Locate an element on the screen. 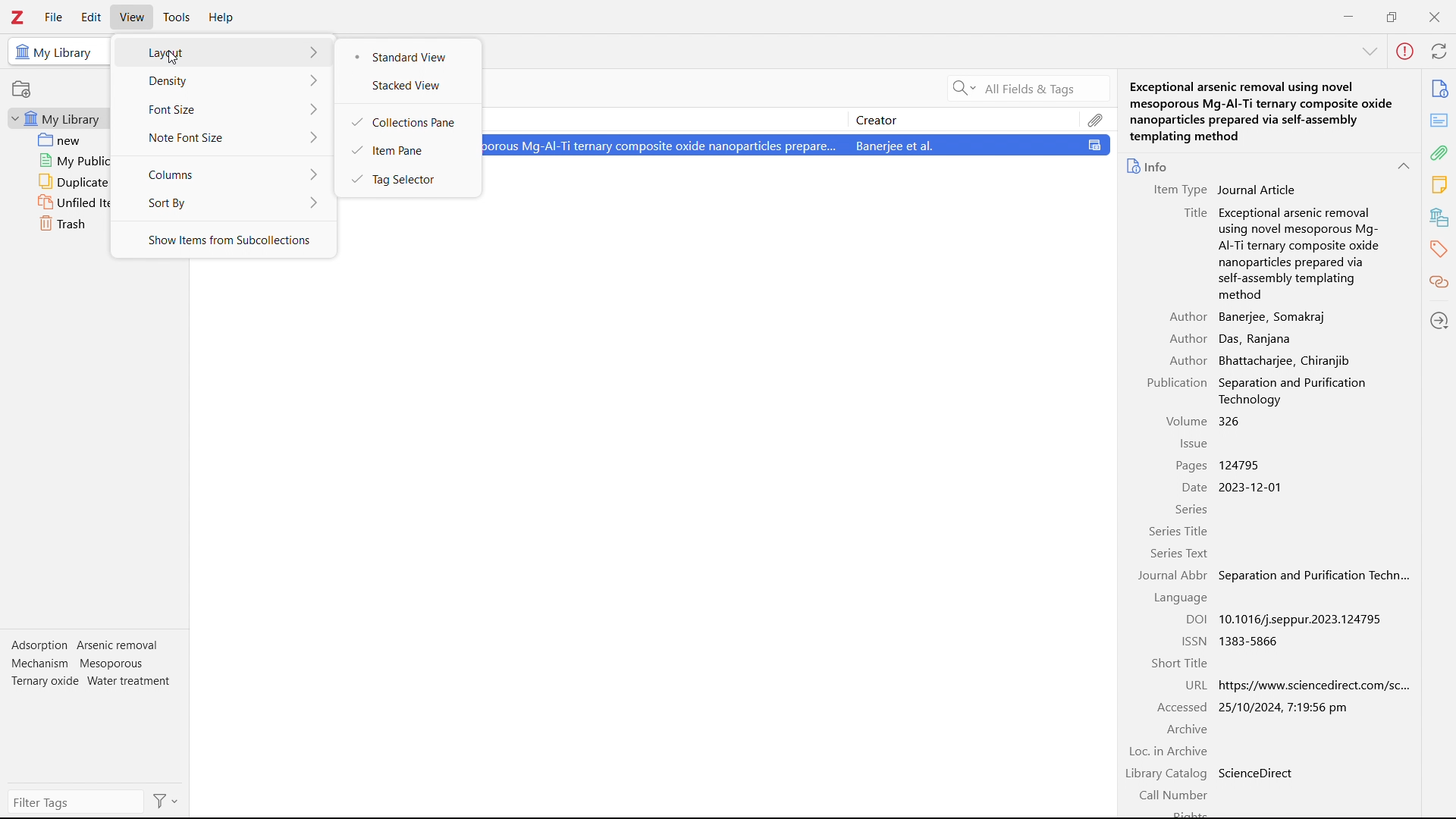  info is located at coordinates (1441, 89).